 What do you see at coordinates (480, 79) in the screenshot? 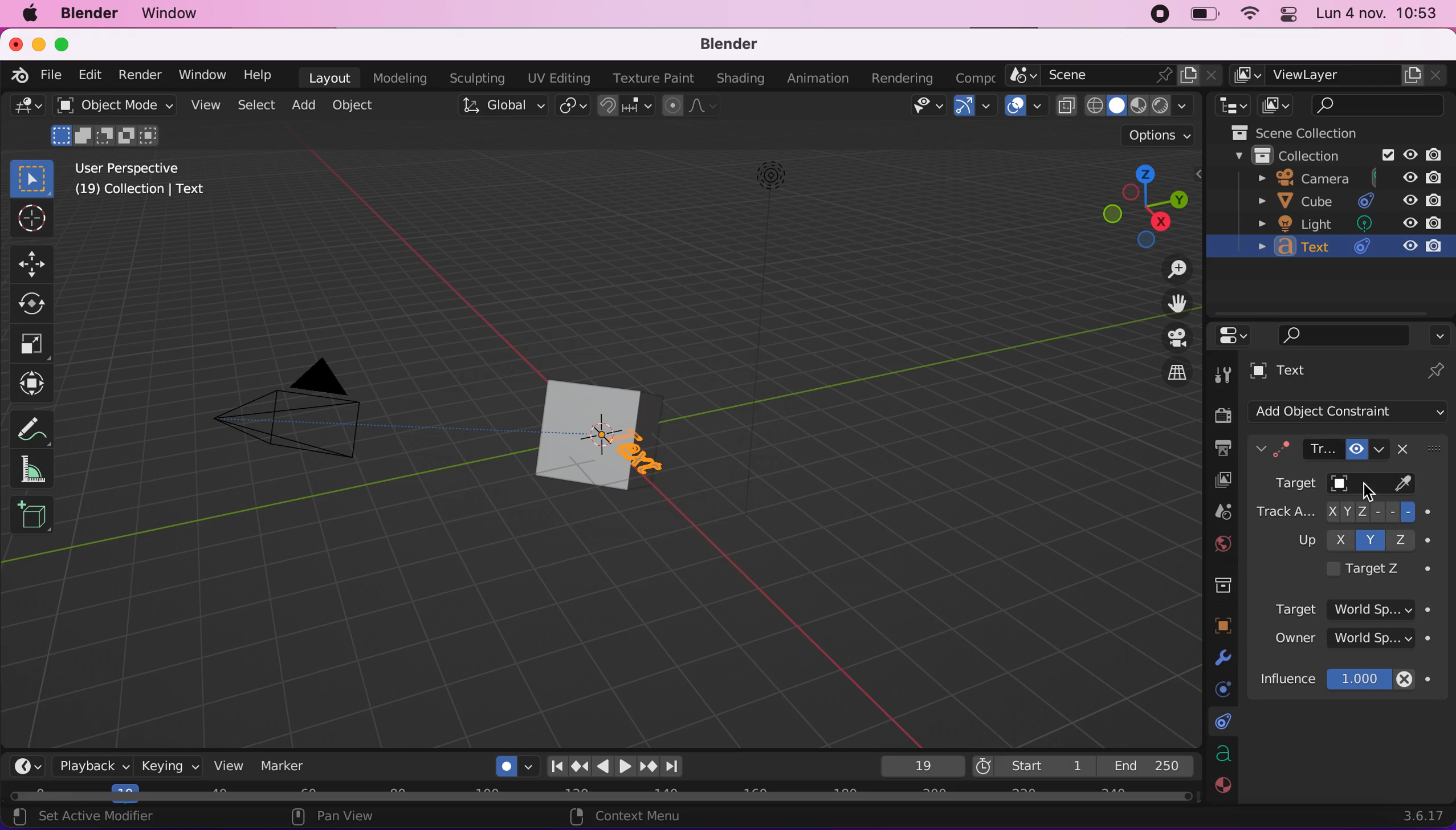
I see `sculpting` at bounding box center [480, 79].